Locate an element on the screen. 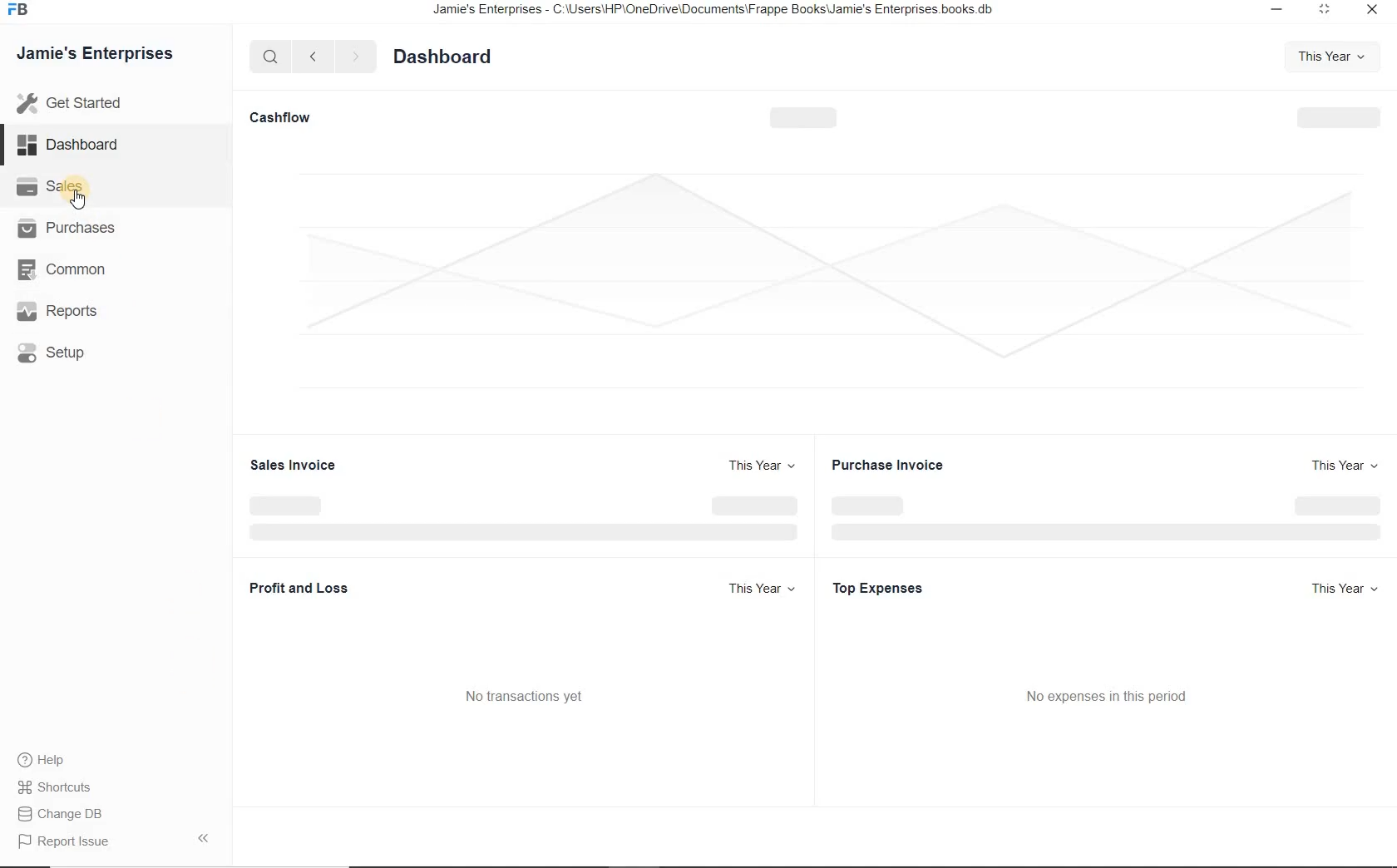 This screenshot has height=868, width=1397. This Year + is located at coordinates (1342, 589).